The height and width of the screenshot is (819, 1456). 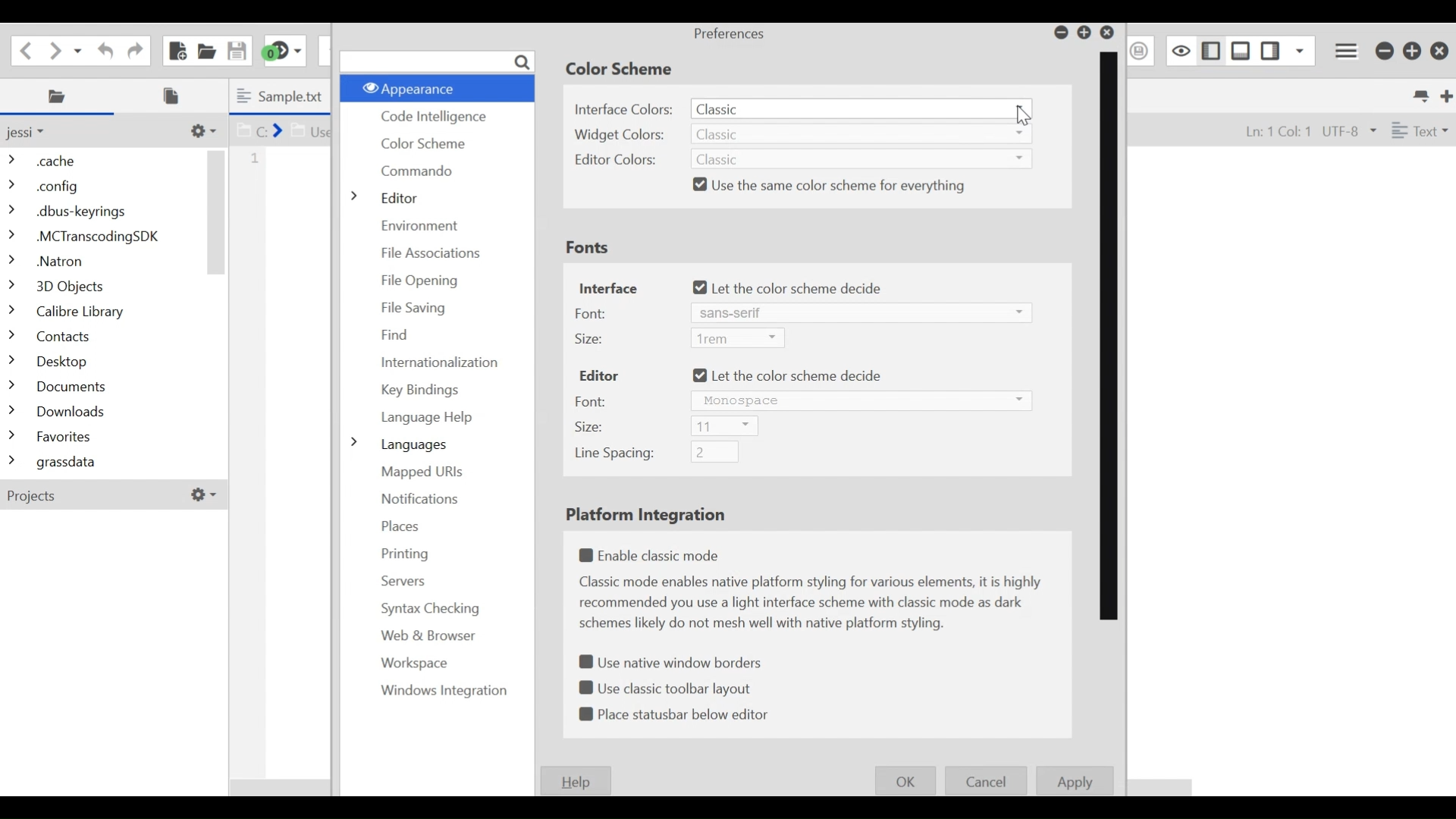 I want to click on Size Dropdown menu, so click(x=736, y=337).